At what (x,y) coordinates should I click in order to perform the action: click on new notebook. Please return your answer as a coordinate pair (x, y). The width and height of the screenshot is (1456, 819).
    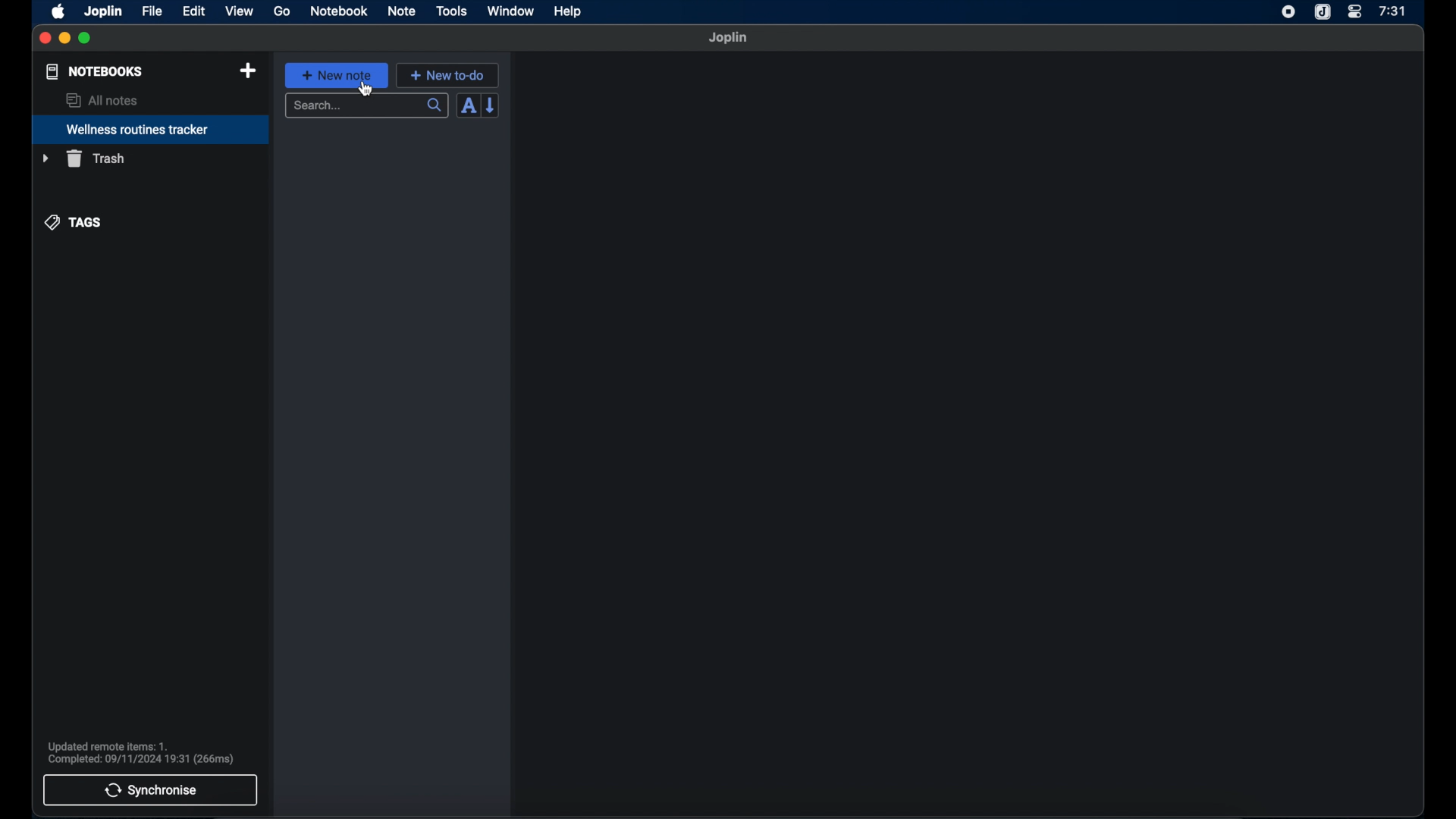
    Looking at the image, I should click on (249, 71).